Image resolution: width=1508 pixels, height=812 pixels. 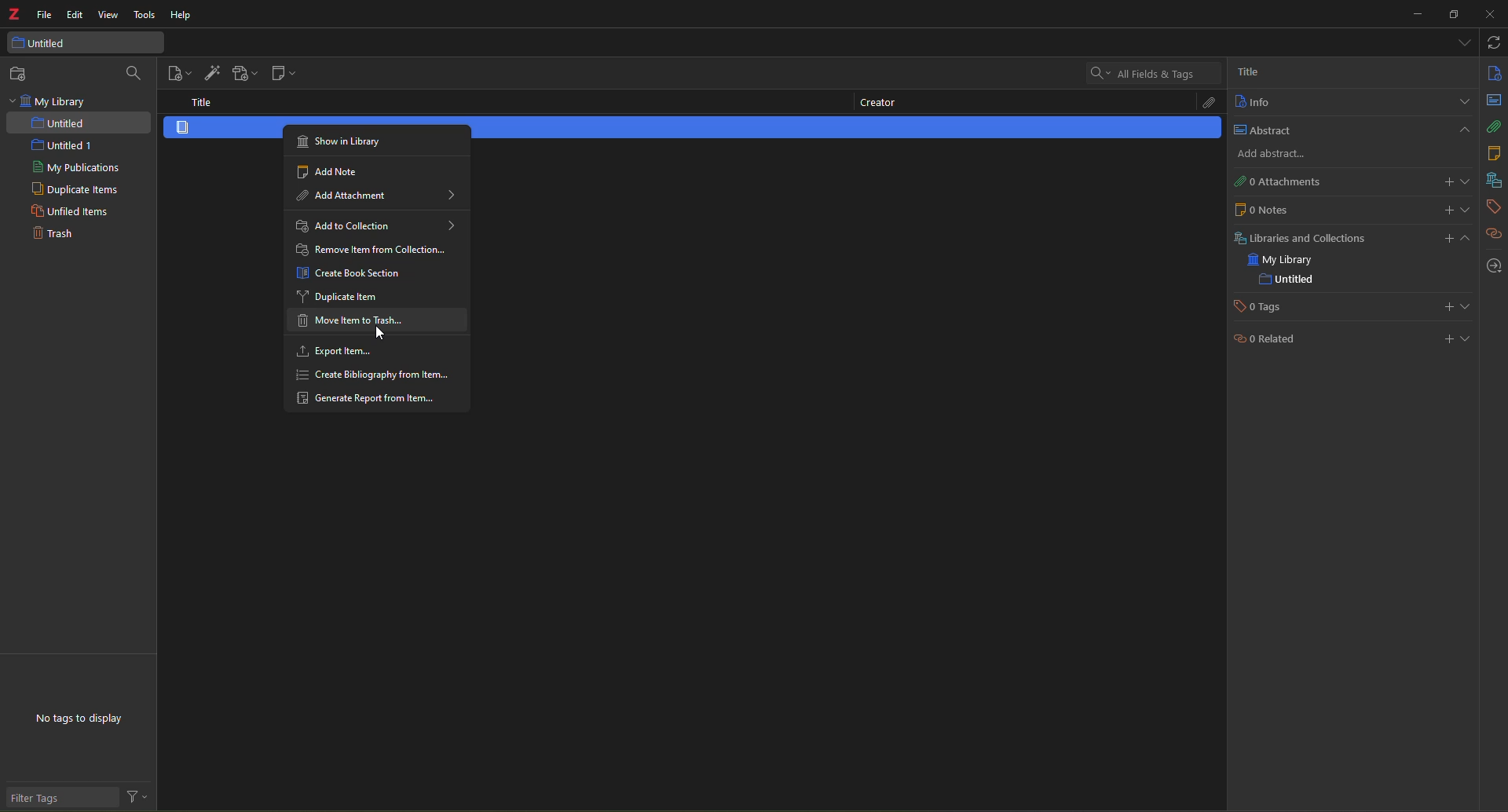 What do you see at coordinates (55, 145) in the screenshot?
I see `untitled 1` at bounding box center [55, 145].